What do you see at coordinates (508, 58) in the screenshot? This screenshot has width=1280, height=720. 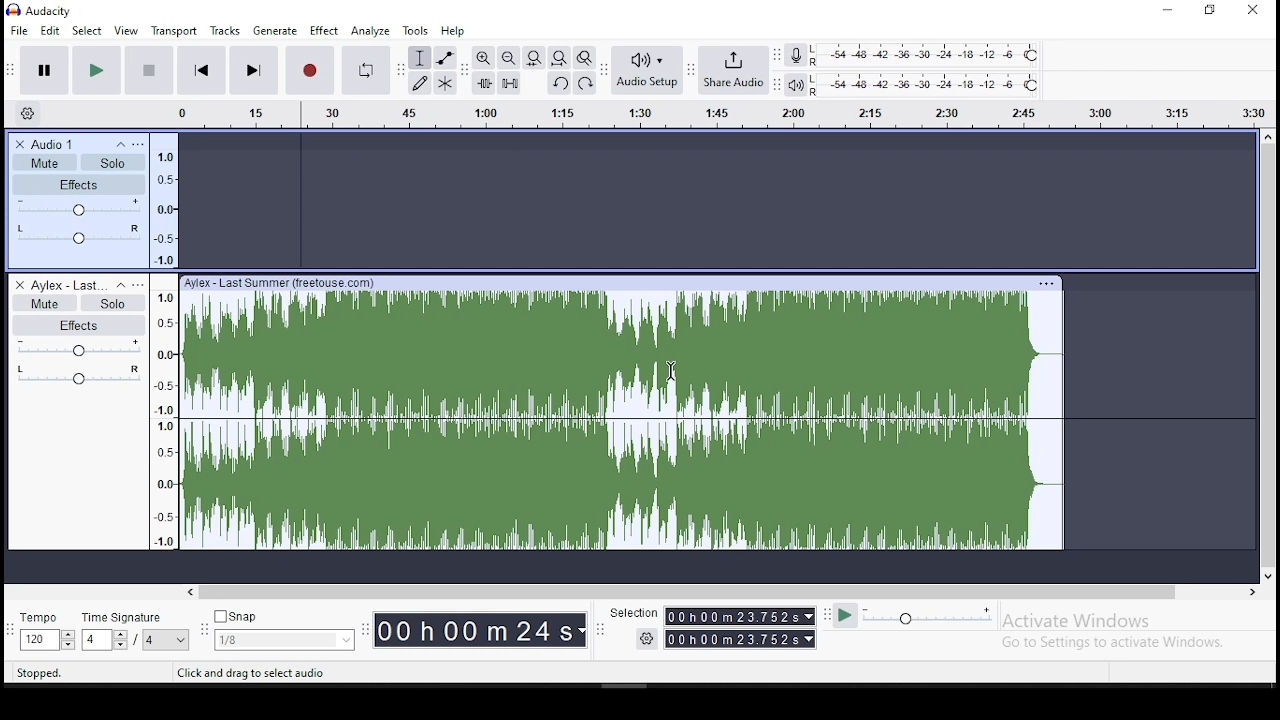 I see `zoom out` at bounding box center [508, 58].